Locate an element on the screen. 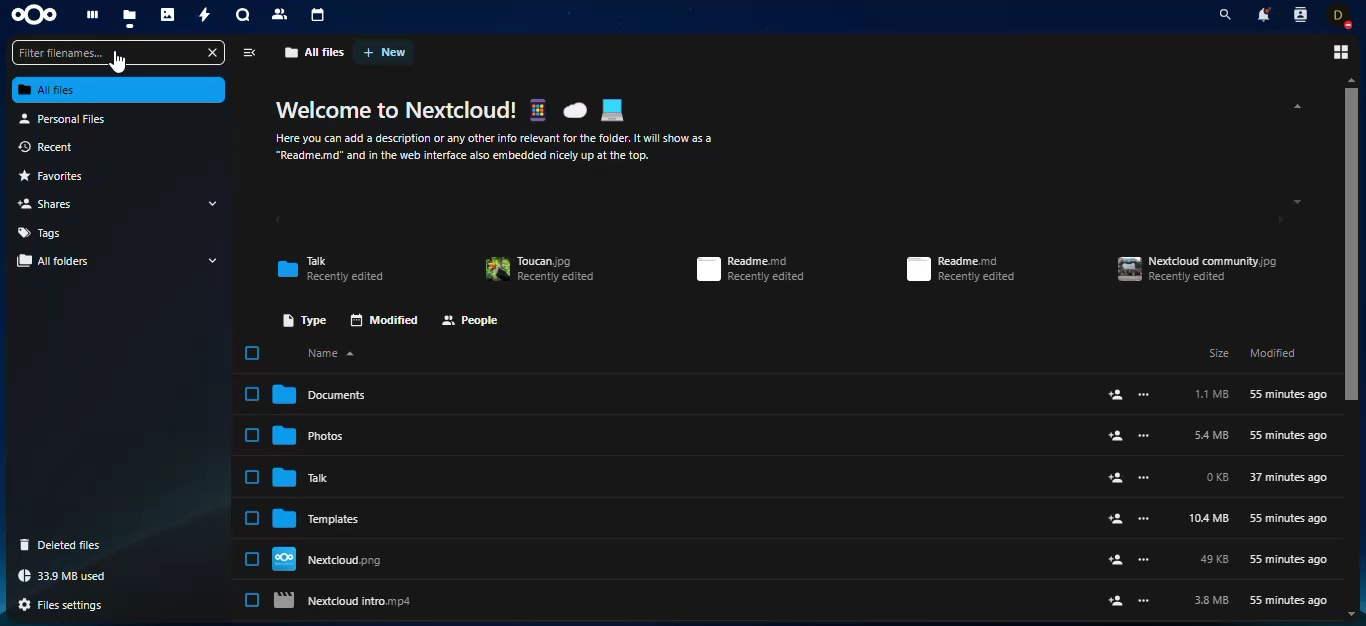 The image size is (1366, 626). add is located at coordinates (1115, 601).